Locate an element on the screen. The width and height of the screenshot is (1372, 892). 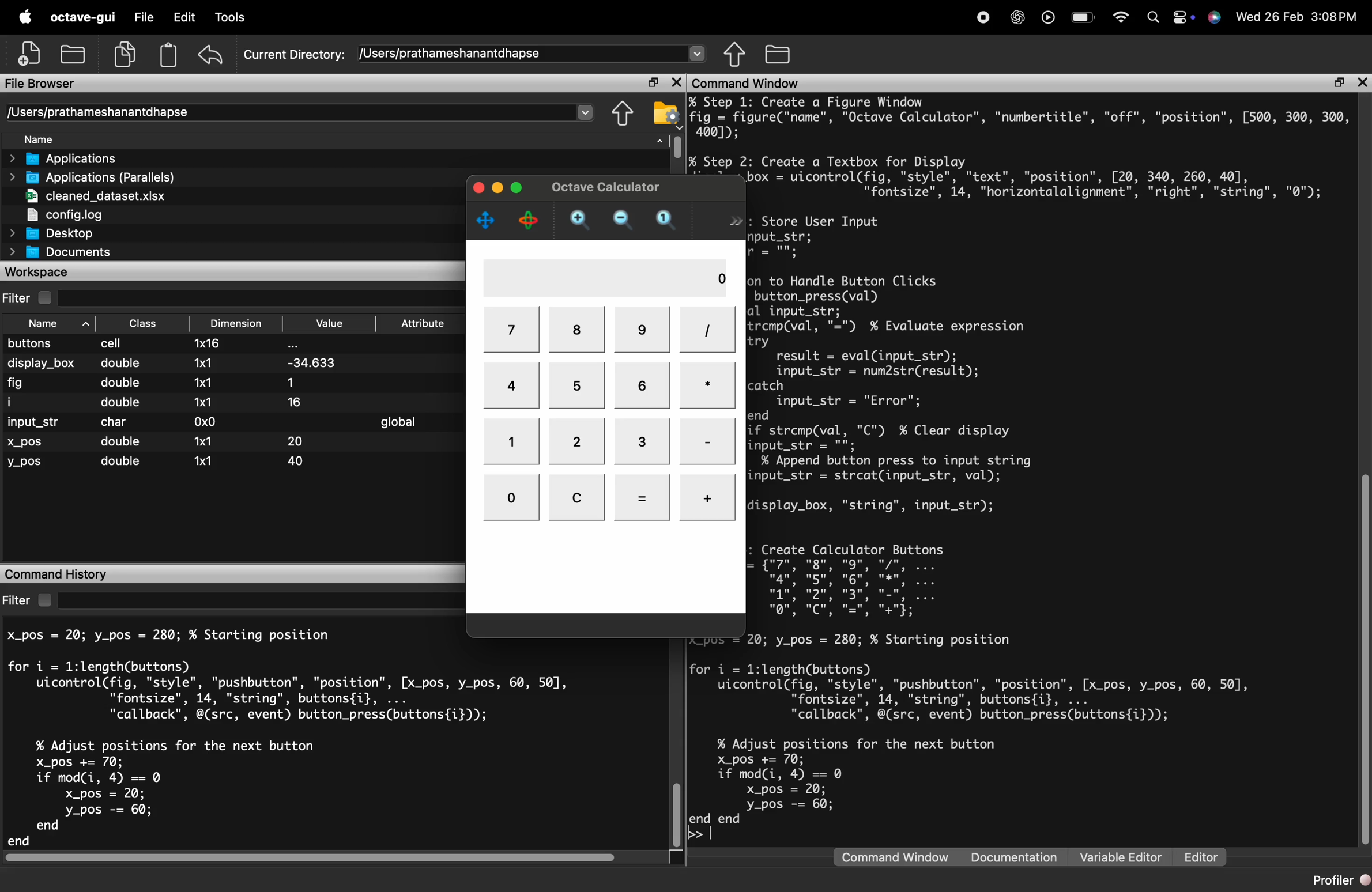
pan is located at coordinates (483, 219).